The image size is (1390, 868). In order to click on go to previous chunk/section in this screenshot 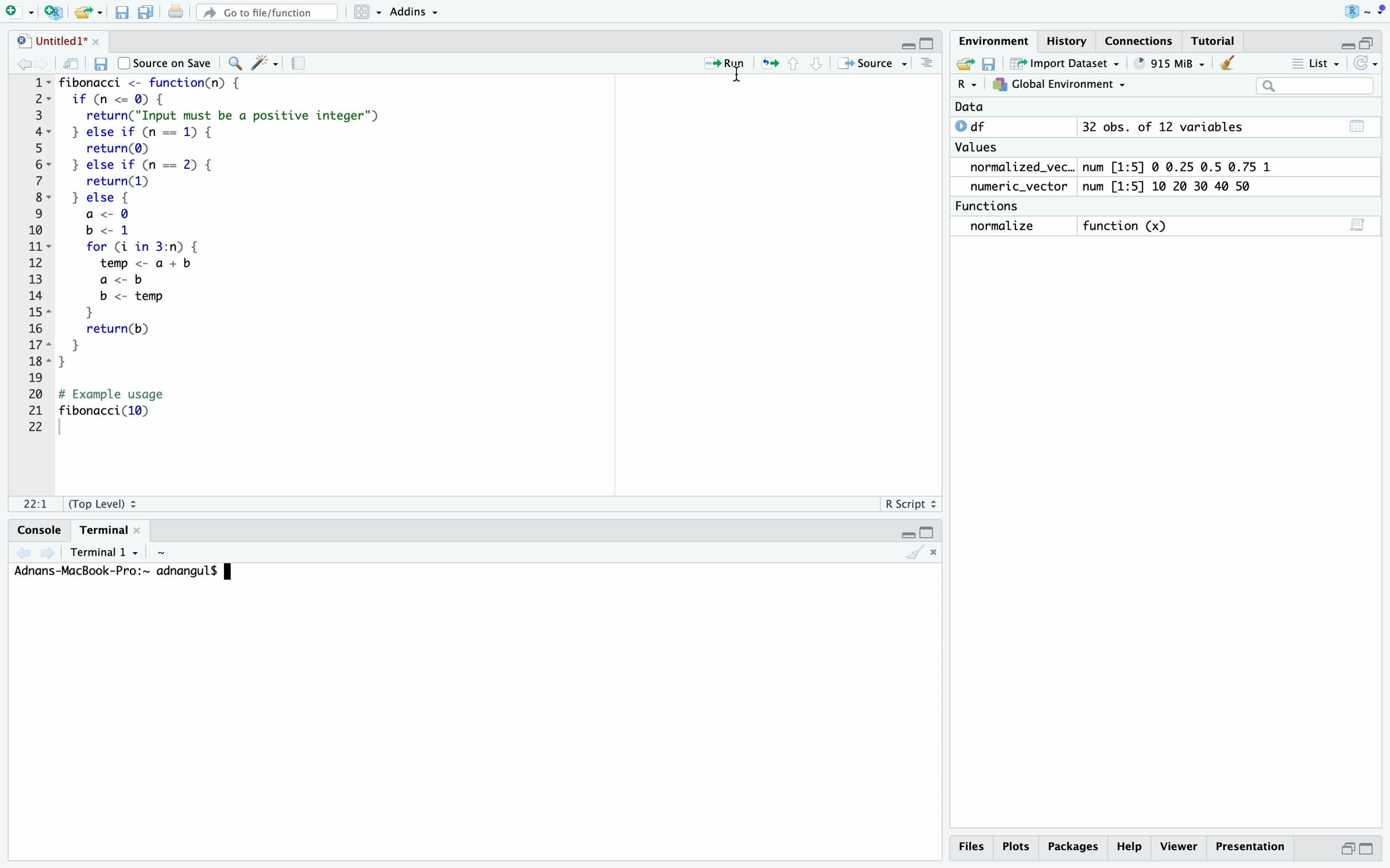, I will do `click(794, 66)`.